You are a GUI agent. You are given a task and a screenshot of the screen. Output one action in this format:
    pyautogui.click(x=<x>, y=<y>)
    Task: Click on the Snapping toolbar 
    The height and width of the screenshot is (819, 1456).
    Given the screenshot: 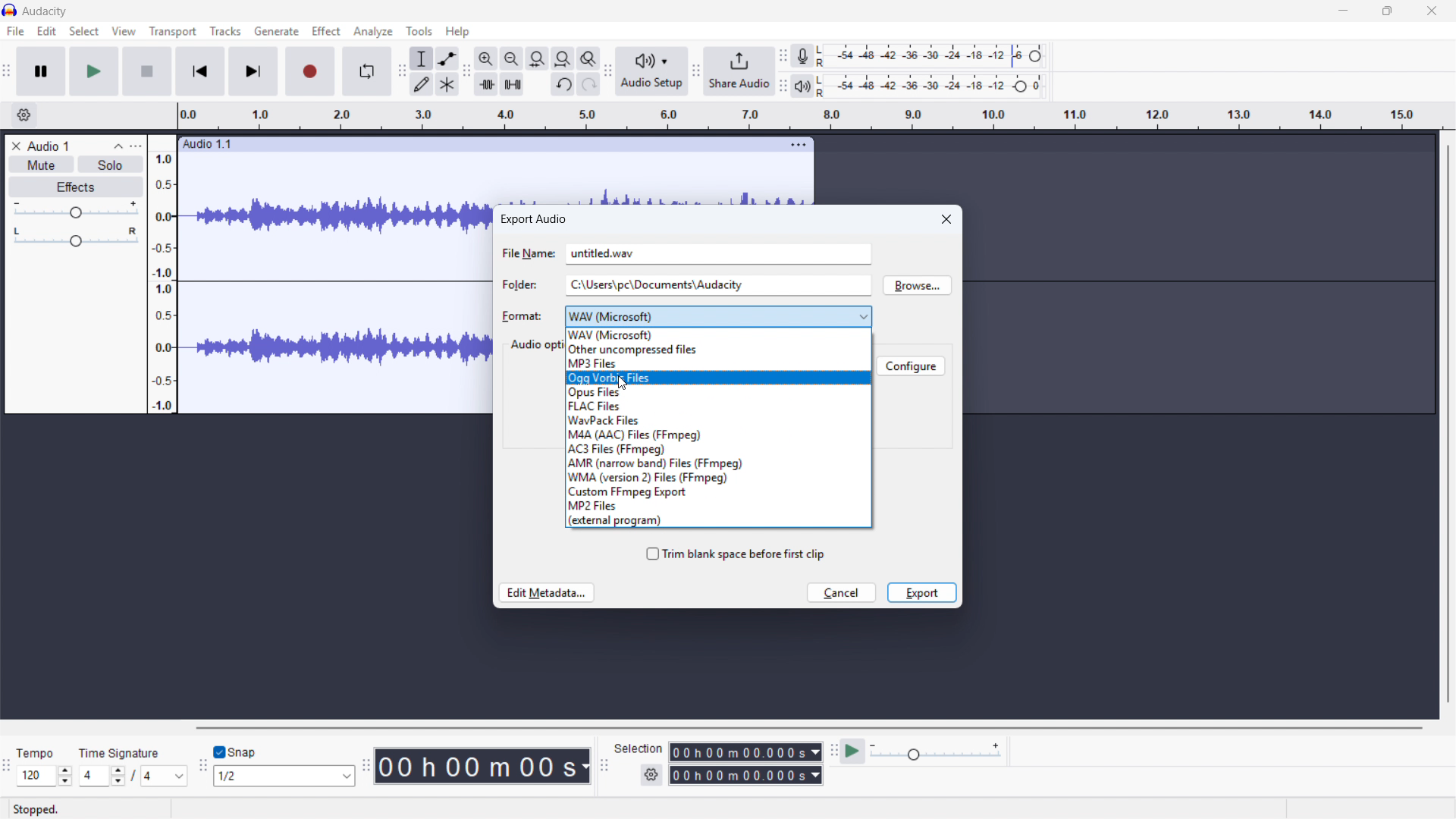 What is the action you would take?
    pyautogui.click(x=203, y=765)
    